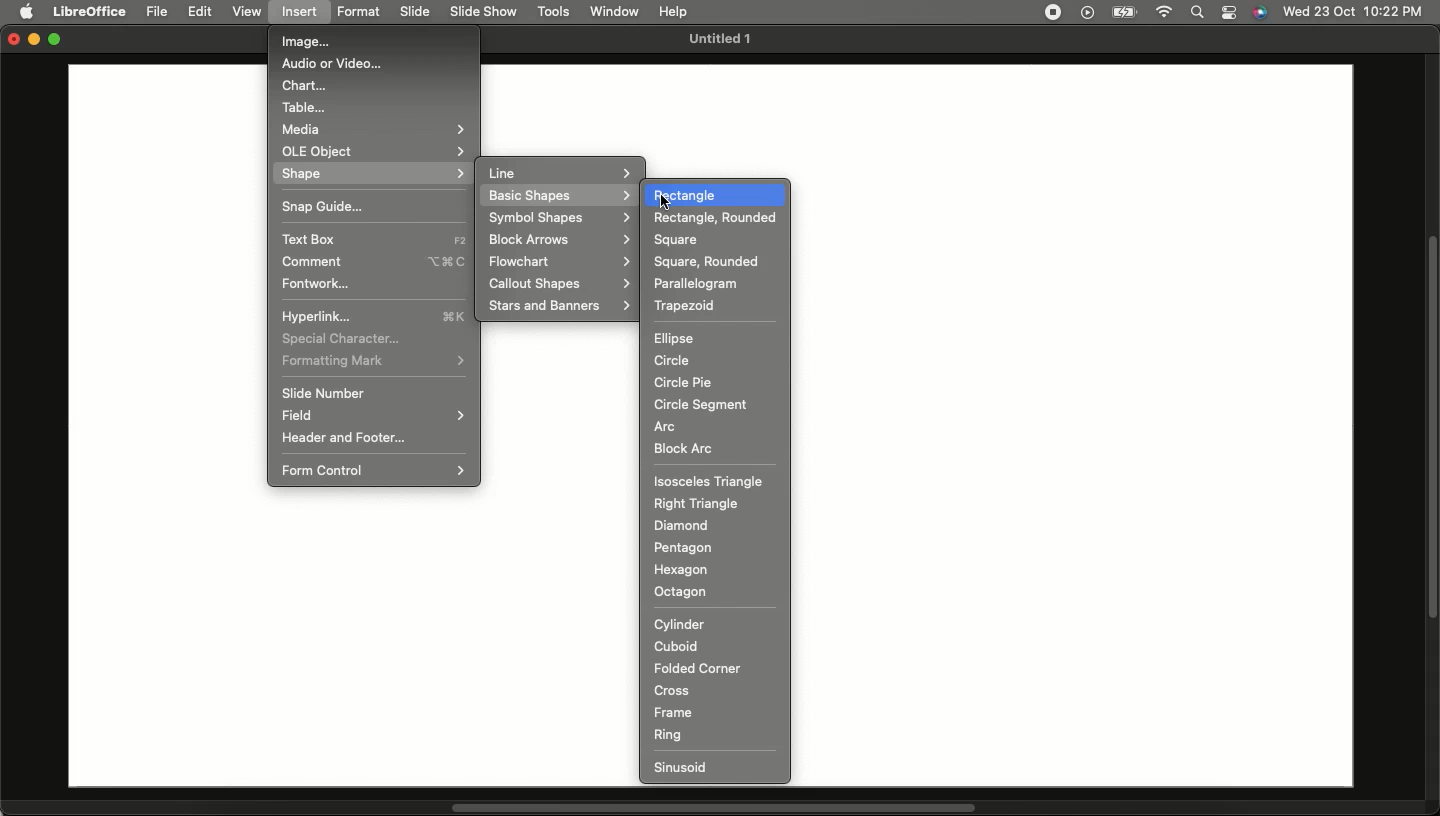  Describe the element at coordinates (675, 647) in the screenshot. I see `Cuboid` at that location.